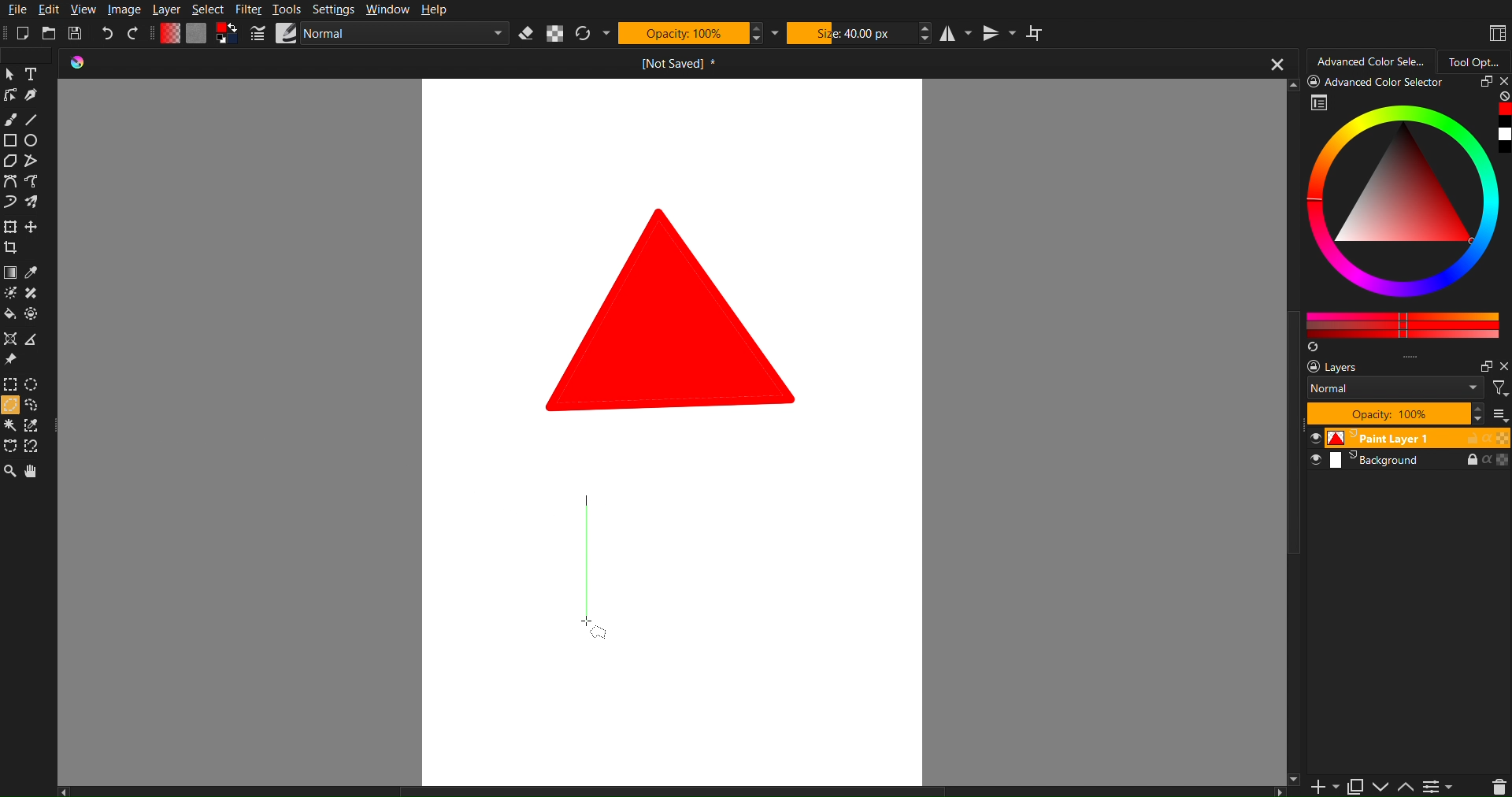 The image size is (1512, 797). I want to click on Free shape, so click(32, 202).